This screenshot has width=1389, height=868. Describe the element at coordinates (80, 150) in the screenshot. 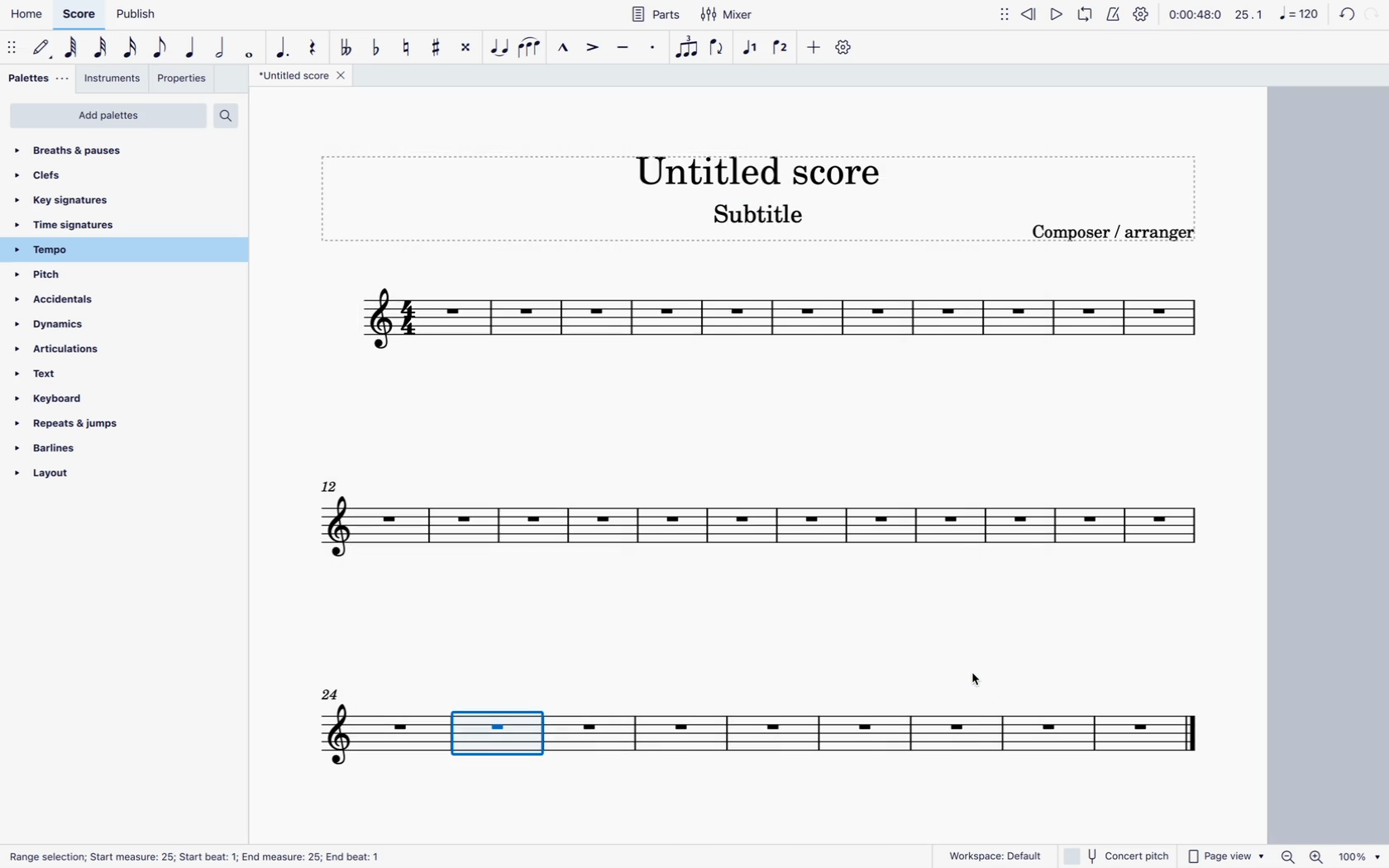

I see `breaths & pauses` at that location.